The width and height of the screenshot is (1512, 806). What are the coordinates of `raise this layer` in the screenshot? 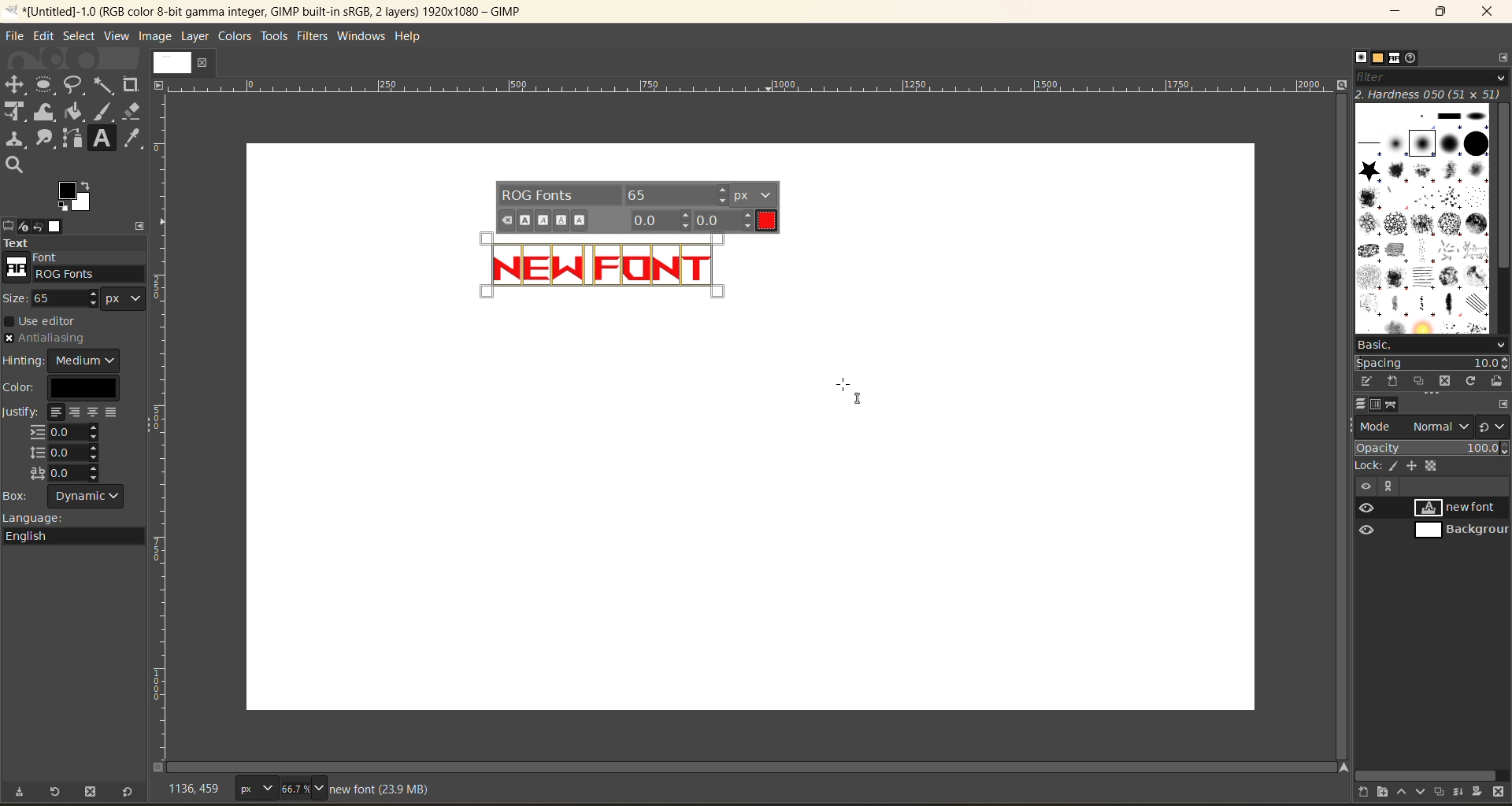 It's located at (1406, 790).